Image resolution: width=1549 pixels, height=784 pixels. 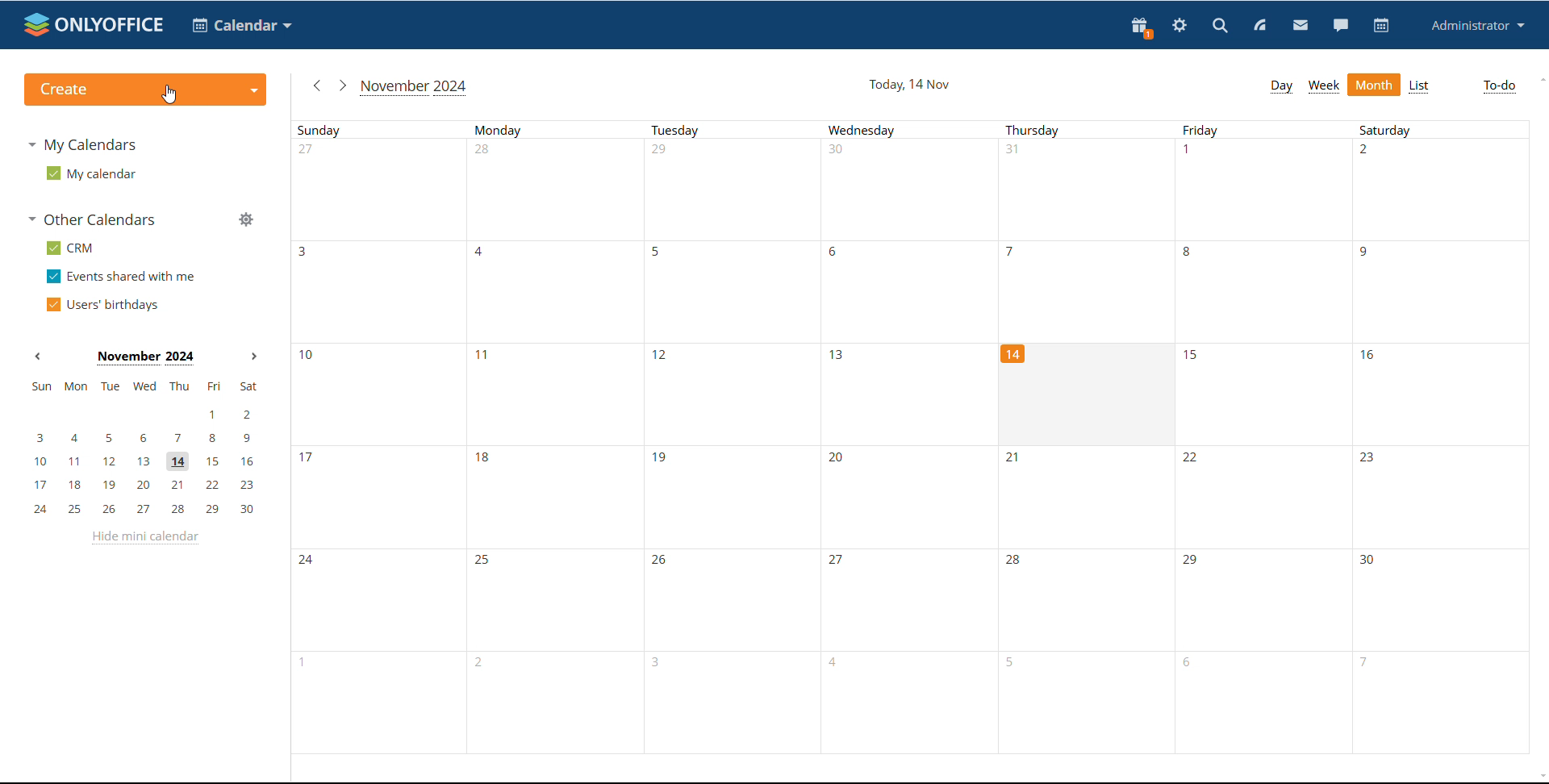 What do you see at coordinates (918, 192) in the screenshot?
I see `Different dates of the month` at bounding box center [918, 192].